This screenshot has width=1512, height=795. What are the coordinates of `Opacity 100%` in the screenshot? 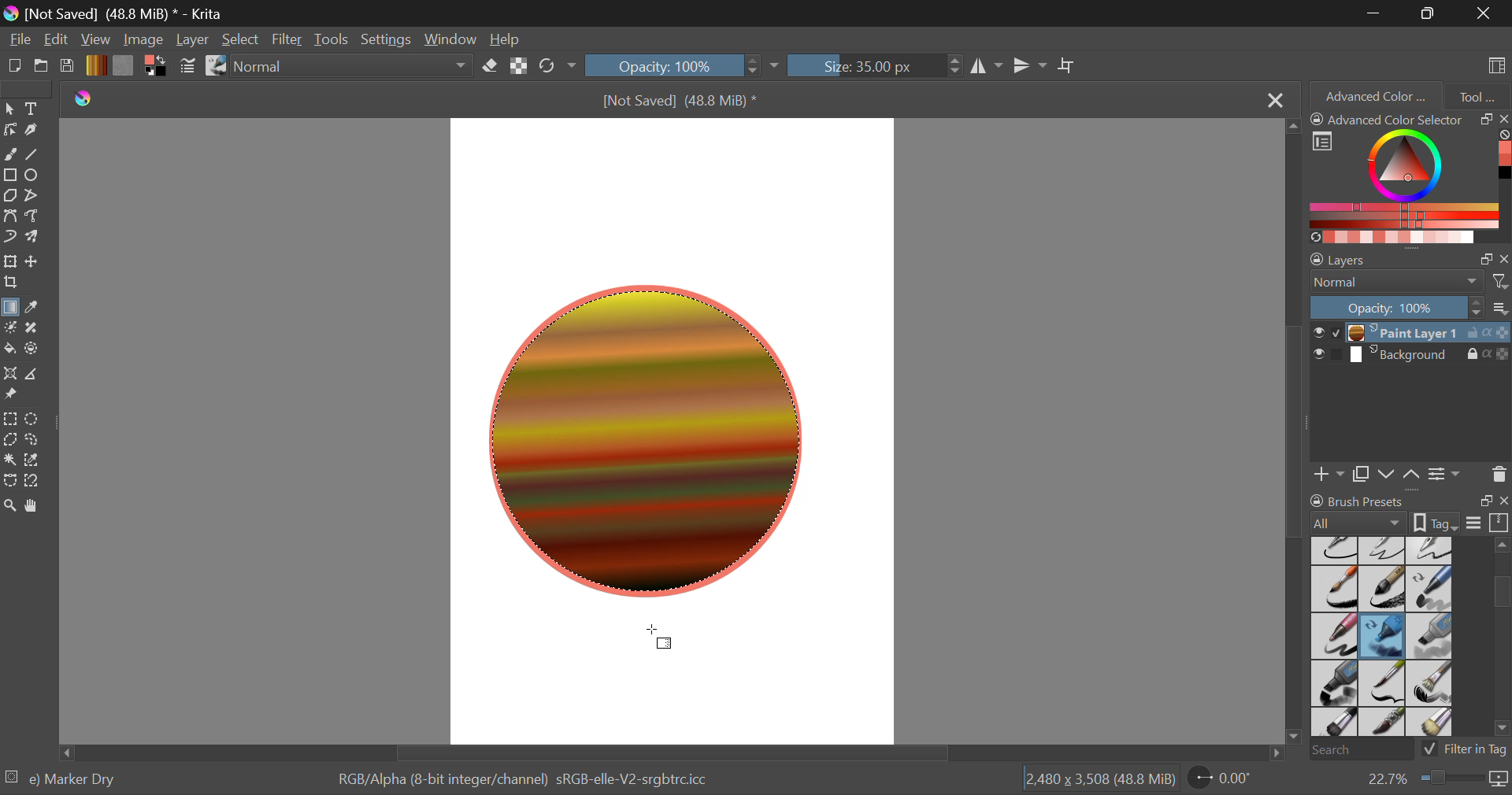 It's located at (675, 65).